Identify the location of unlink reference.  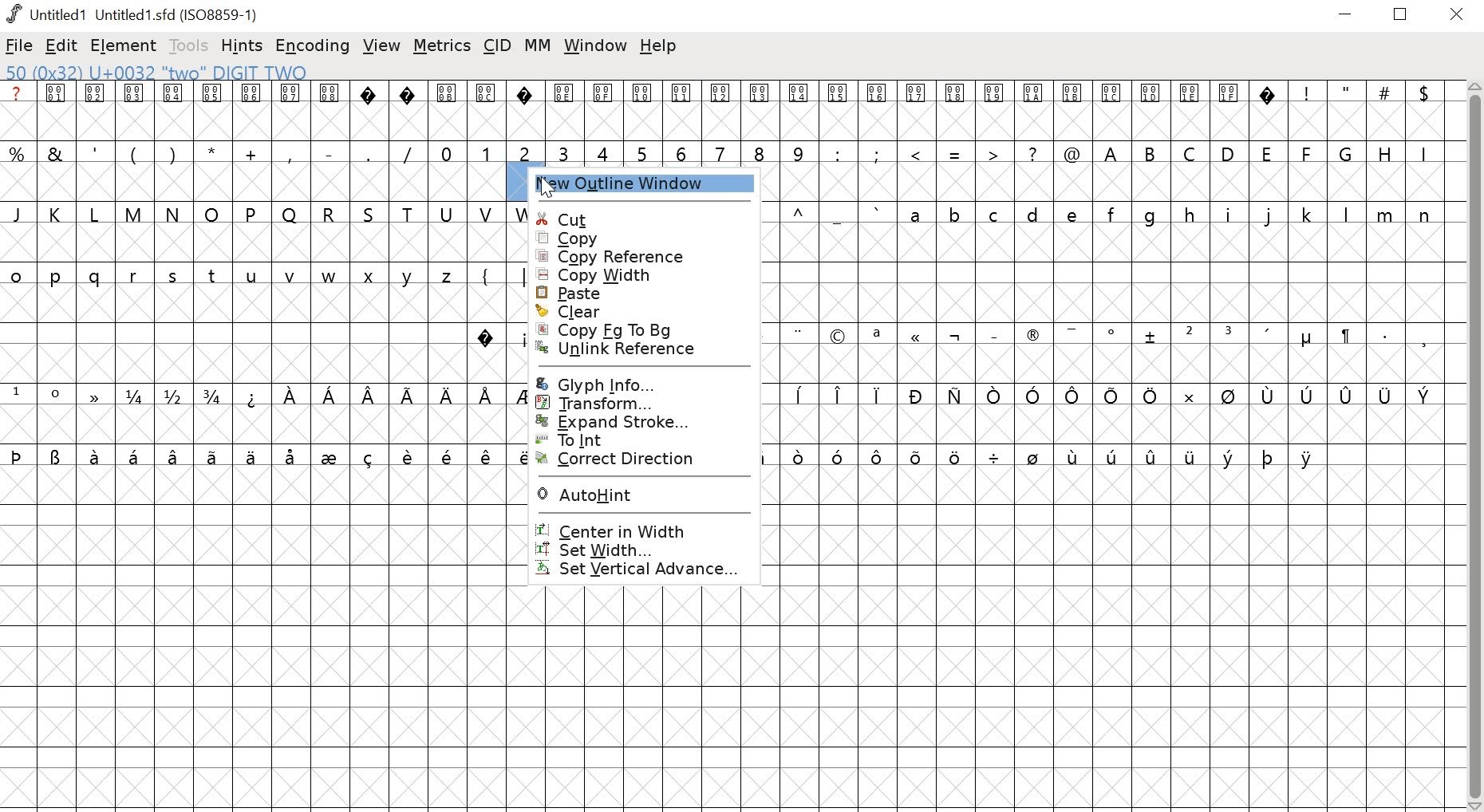
(637, 349).